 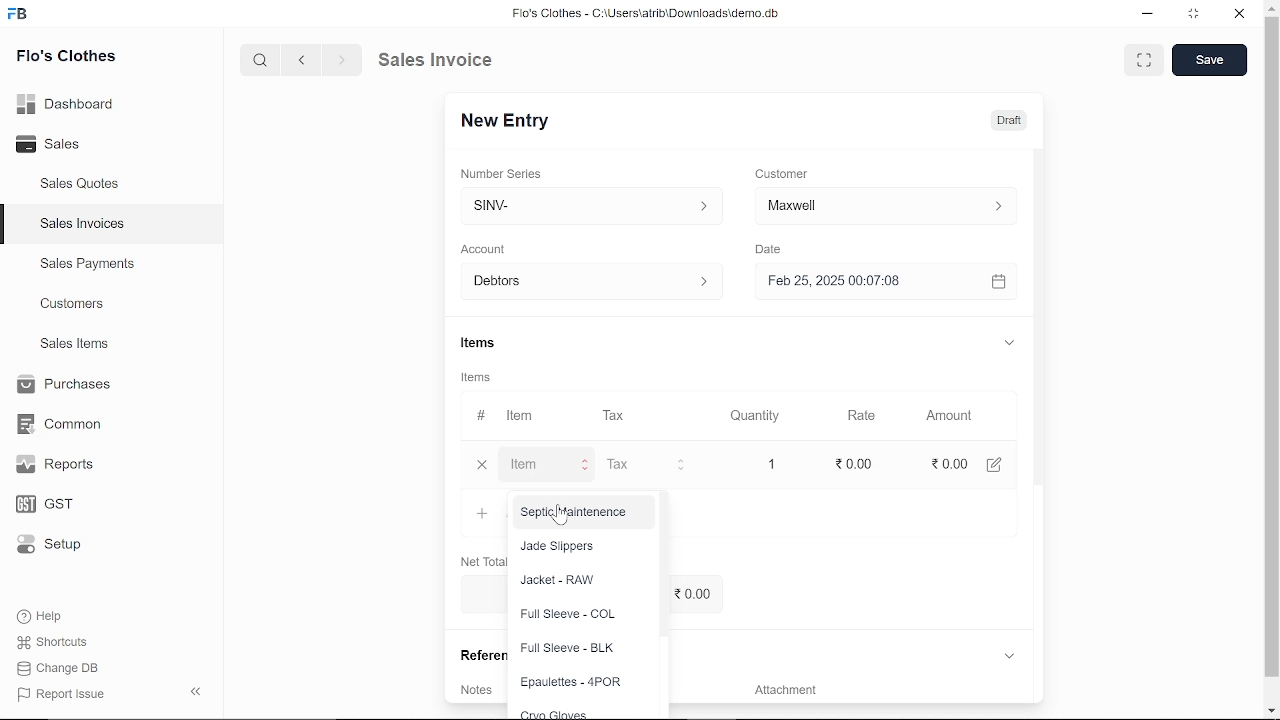 What do you see at coordinates (562, 582) in the screenshot?
I see `Jacket - RAW` at bounding box center [562, 582].